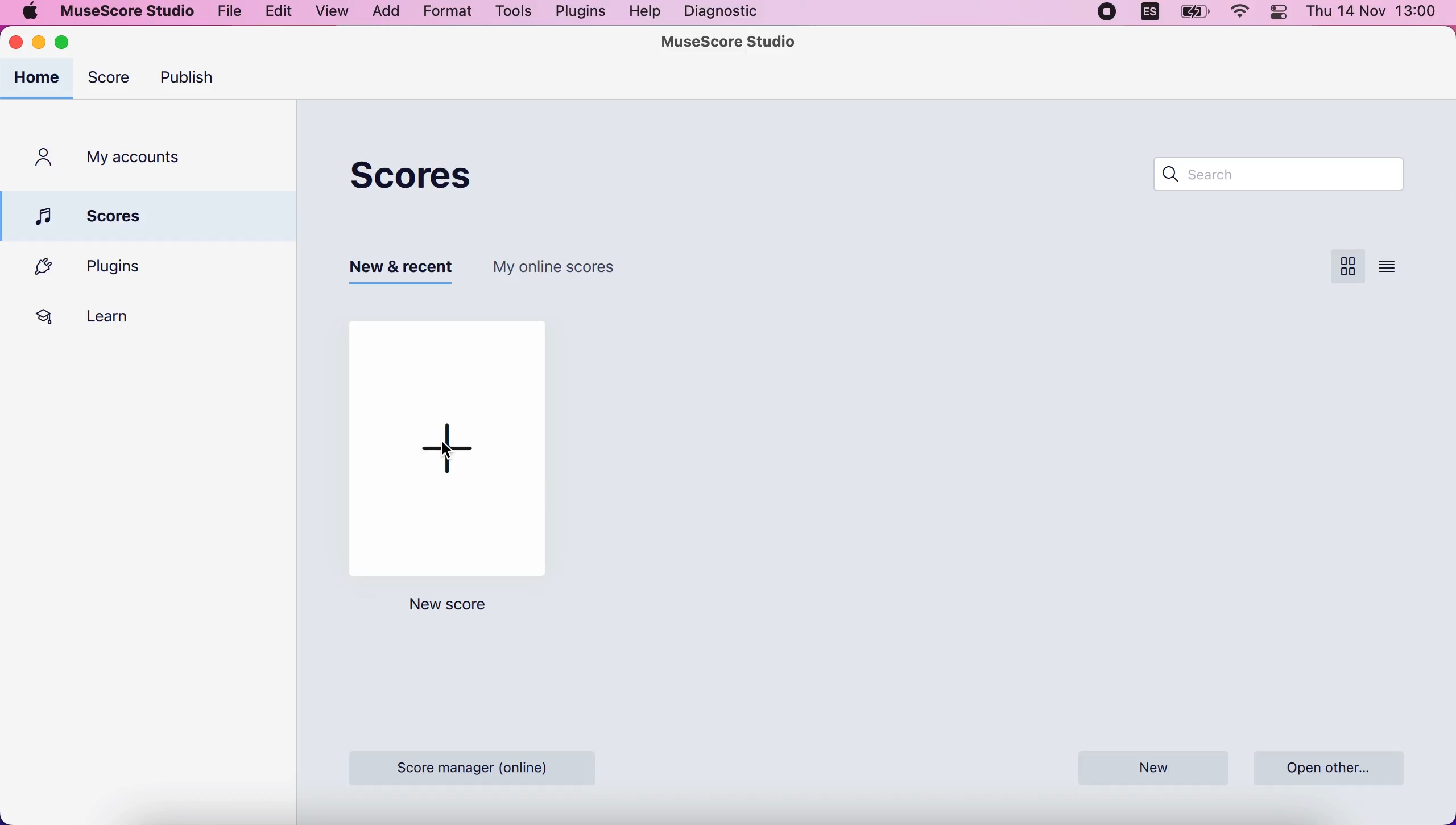 Image resolution: width=1456 pixels, height=825 pixels. Describe the element at coordinates (1388, 265) in the screenshot. I see `score view list` at that location.